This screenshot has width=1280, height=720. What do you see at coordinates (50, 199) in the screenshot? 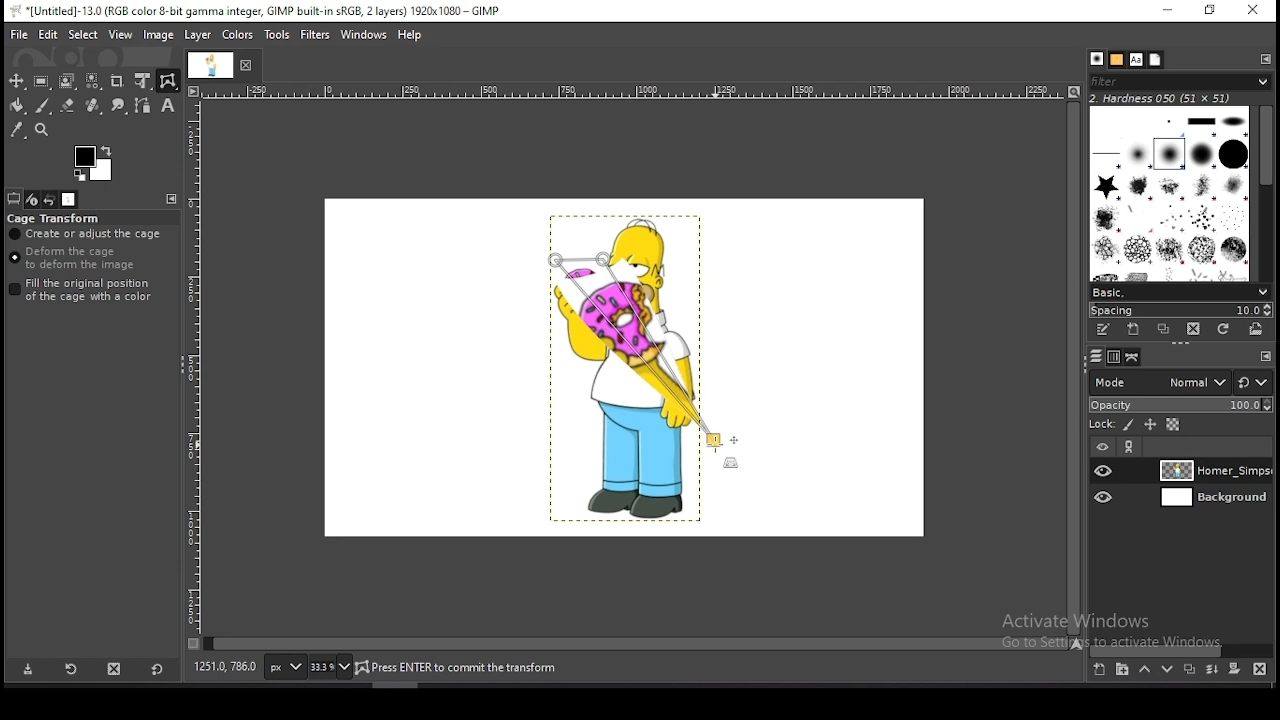
I see `undo history` at bounding box center [50, 199].